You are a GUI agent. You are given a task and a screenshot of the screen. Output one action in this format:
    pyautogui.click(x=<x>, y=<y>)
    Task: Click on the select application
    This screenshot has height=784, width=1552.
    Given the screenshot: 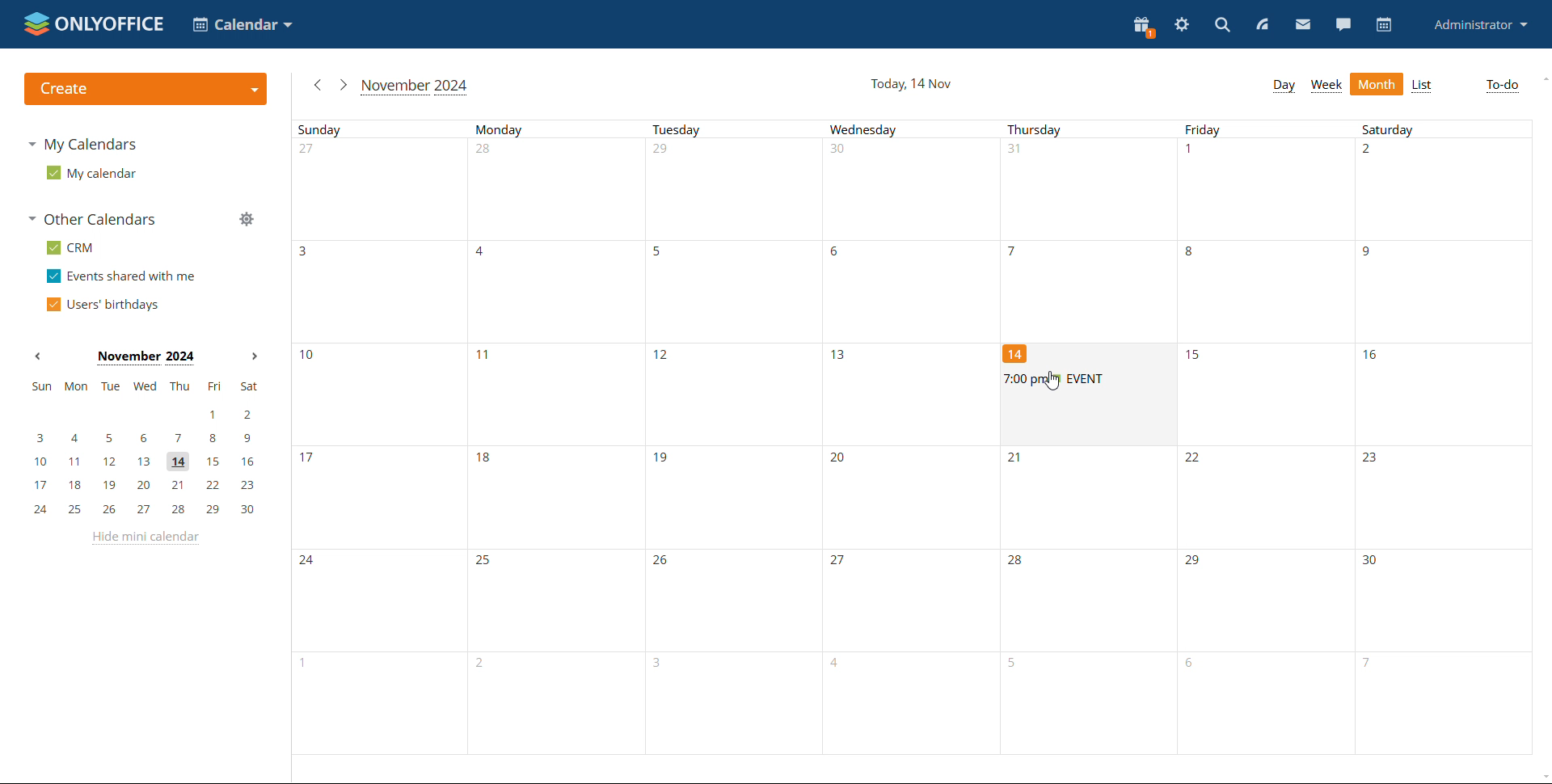 What is the action you would take?
    pyautogui.click(x=242, y=24)
    